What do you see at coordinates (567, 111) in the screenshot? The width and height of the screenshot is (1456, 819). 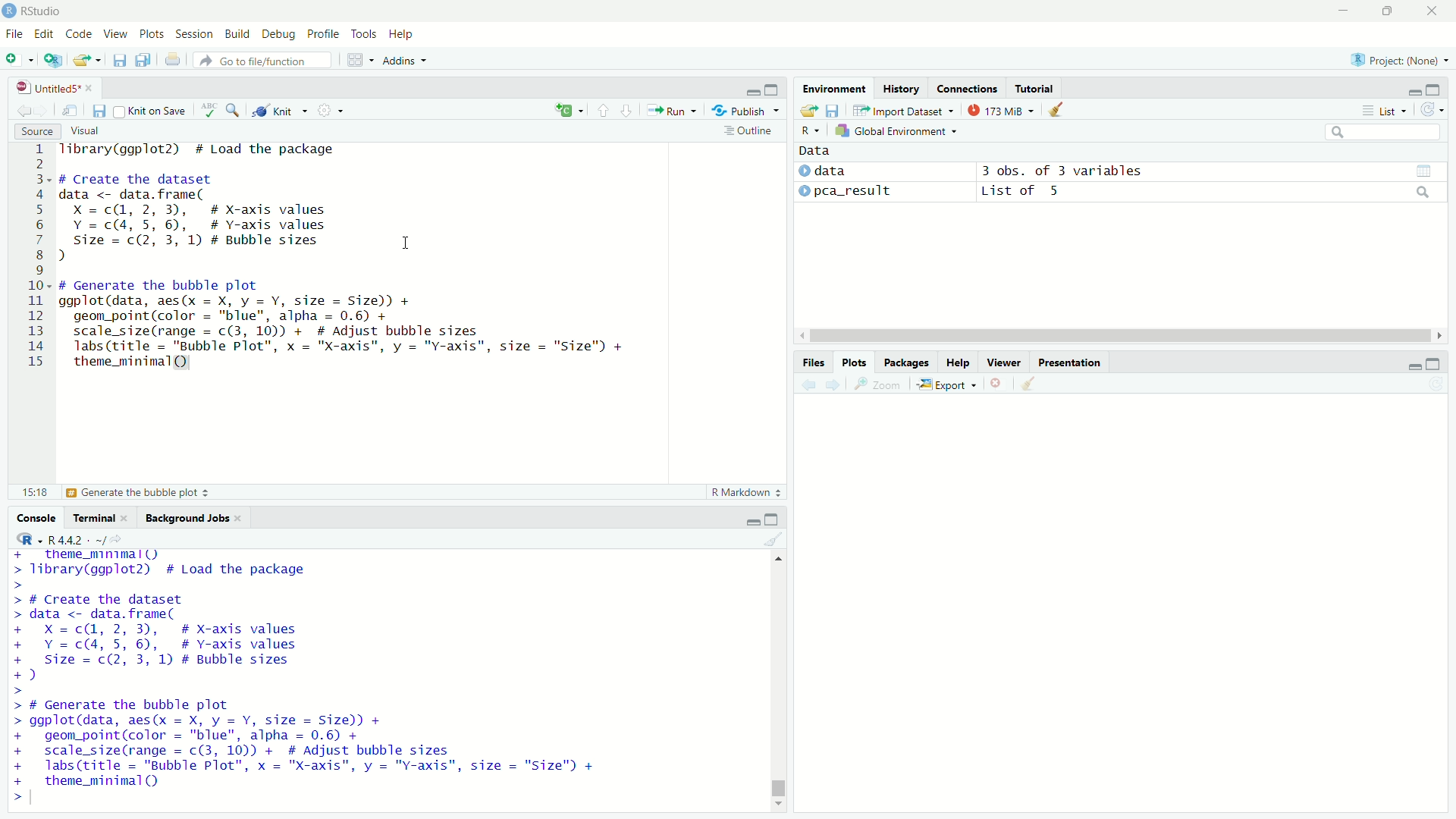 I see `language select` at bounding box center [567, 111].